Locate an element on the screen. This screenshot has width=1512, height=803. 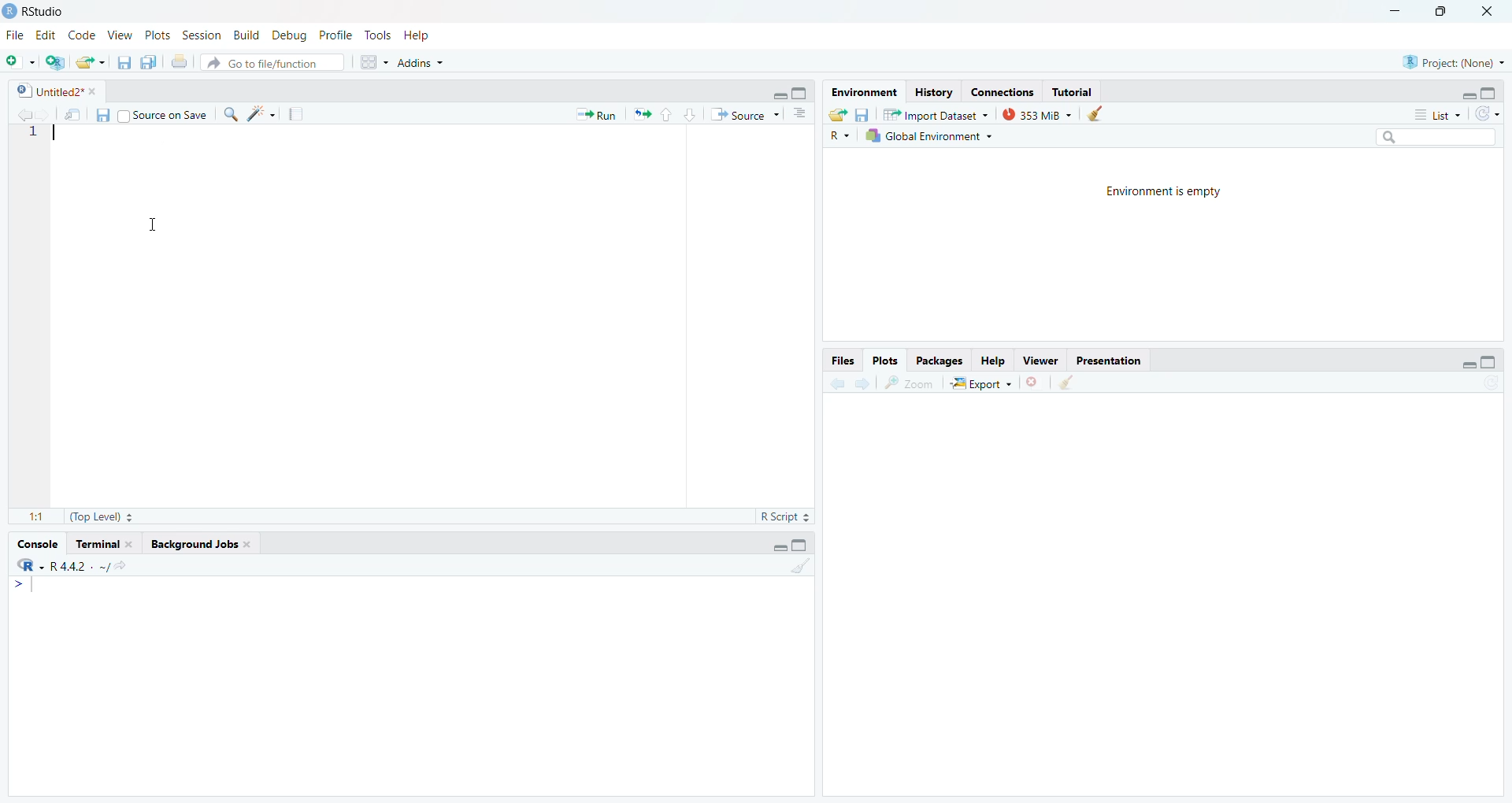
hide console is located at coordinates (800, 92).